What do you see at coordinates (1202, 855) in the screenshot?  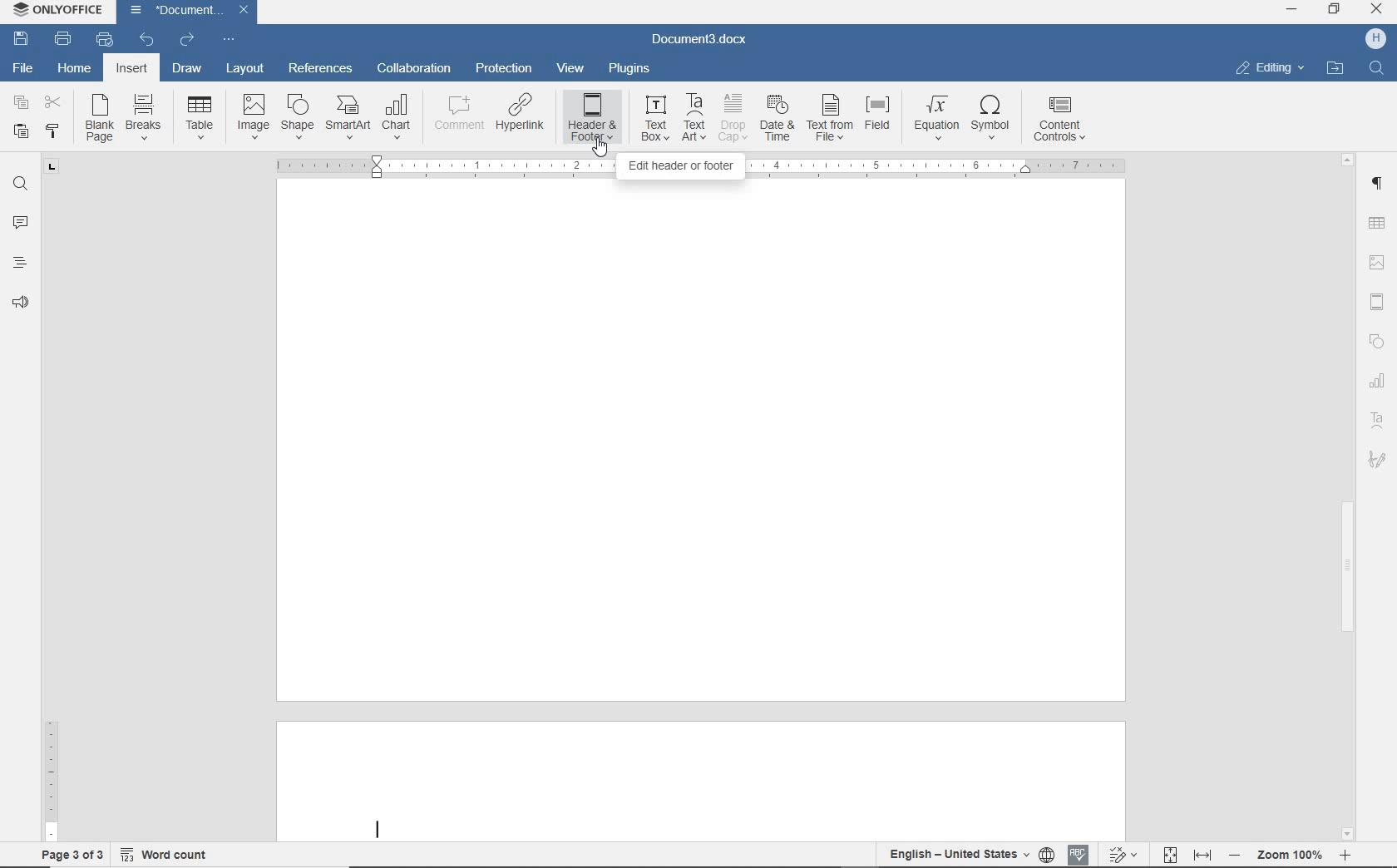 I see `FIT TO WIDTH` at bounding box center [1202, 855].